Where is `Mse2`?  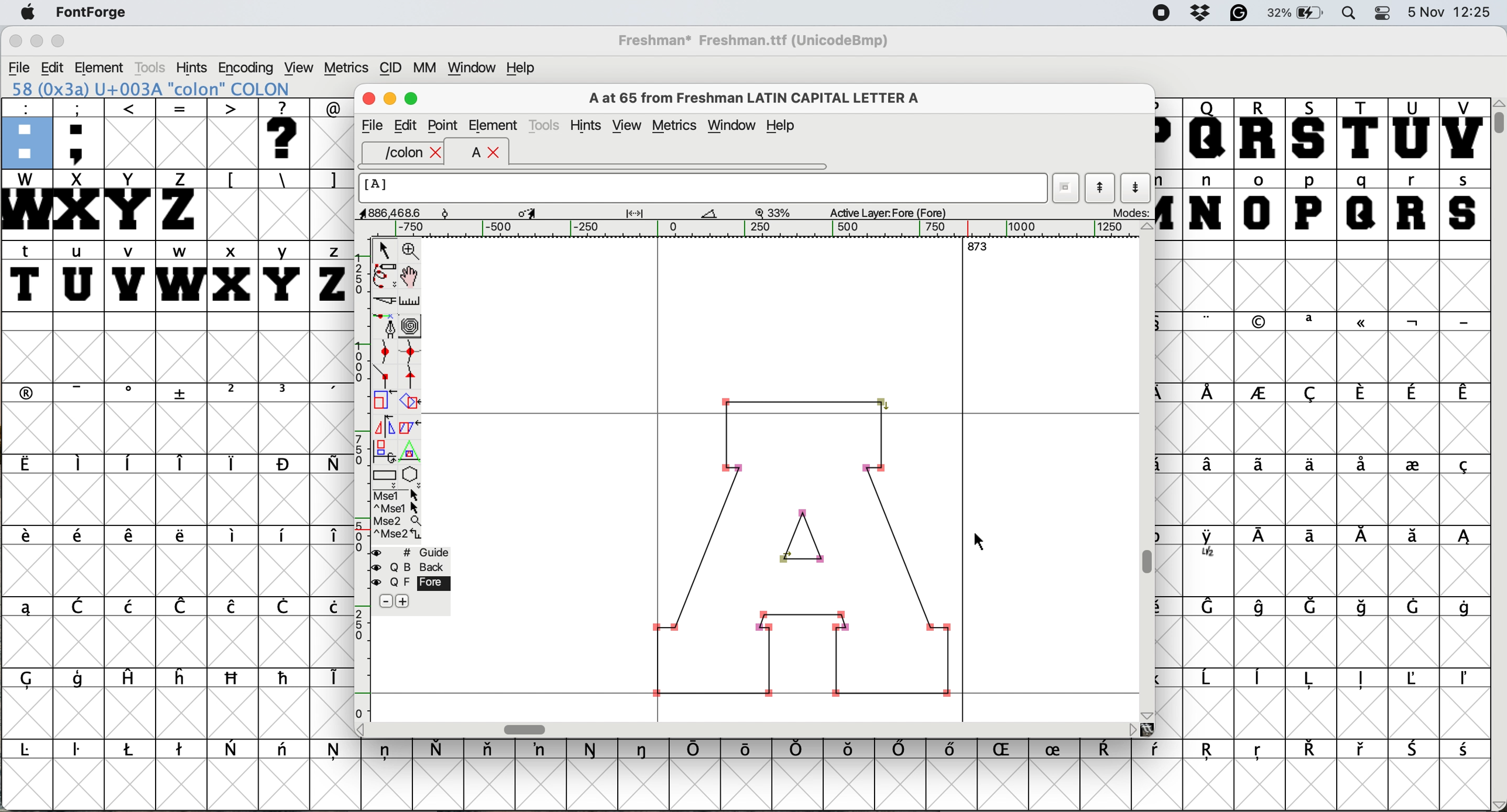 Mse2 is located at coordinates (397, 519).